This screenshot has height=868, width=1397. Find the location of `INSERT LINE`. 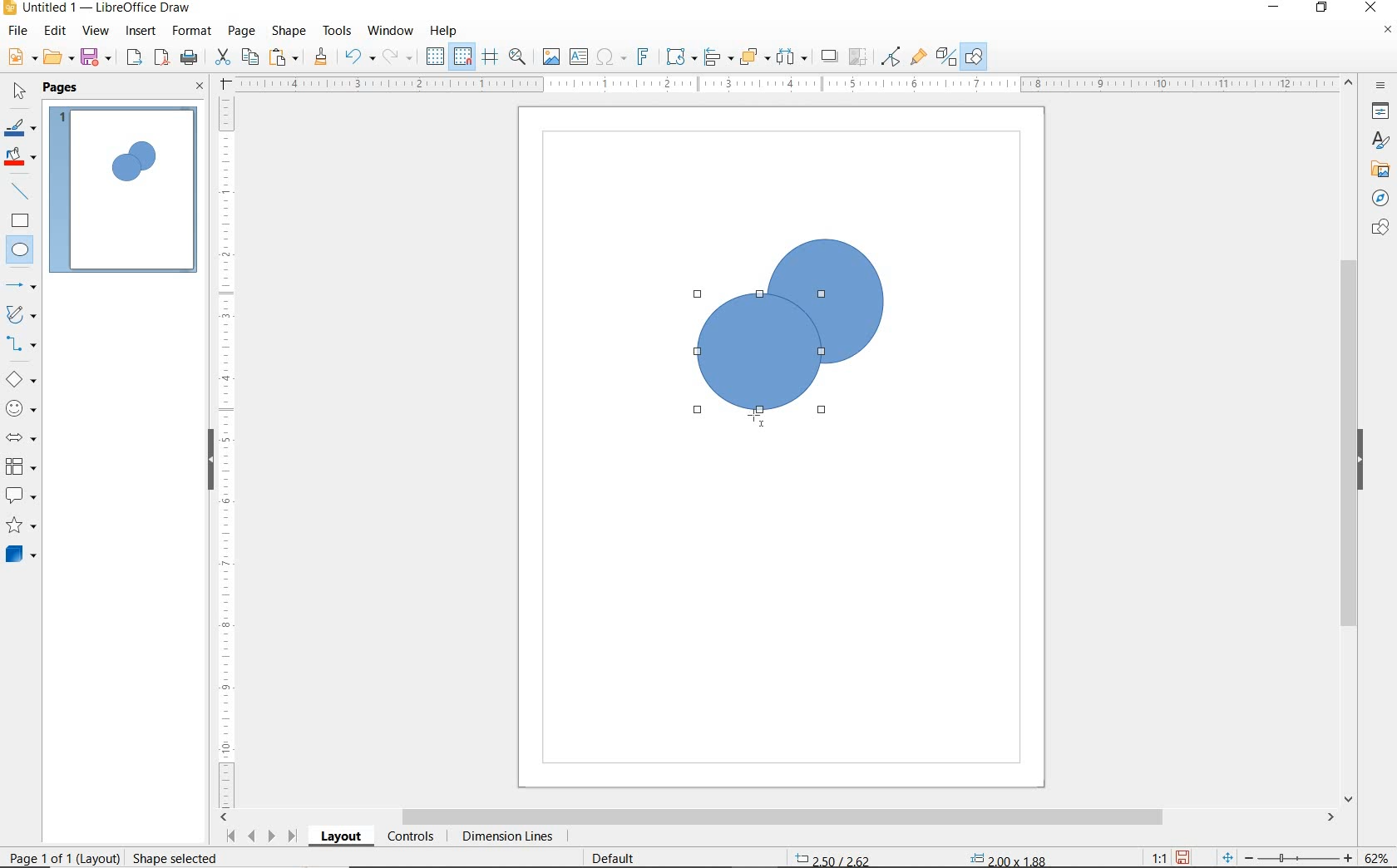

INSERT LINE is located at coordinates (22, 191).